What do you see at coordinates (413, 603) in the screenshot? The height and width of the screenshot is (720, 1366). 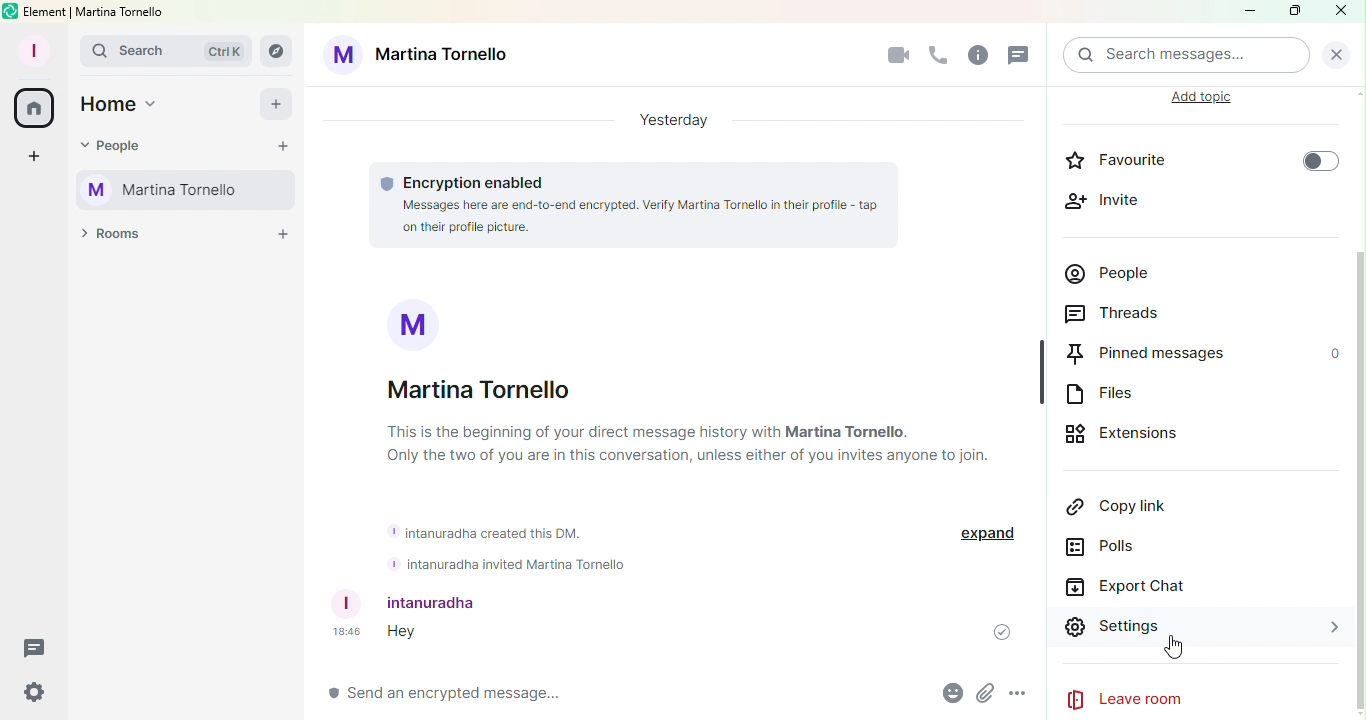 I see `intanuradha` at bounding box center [413, 603].